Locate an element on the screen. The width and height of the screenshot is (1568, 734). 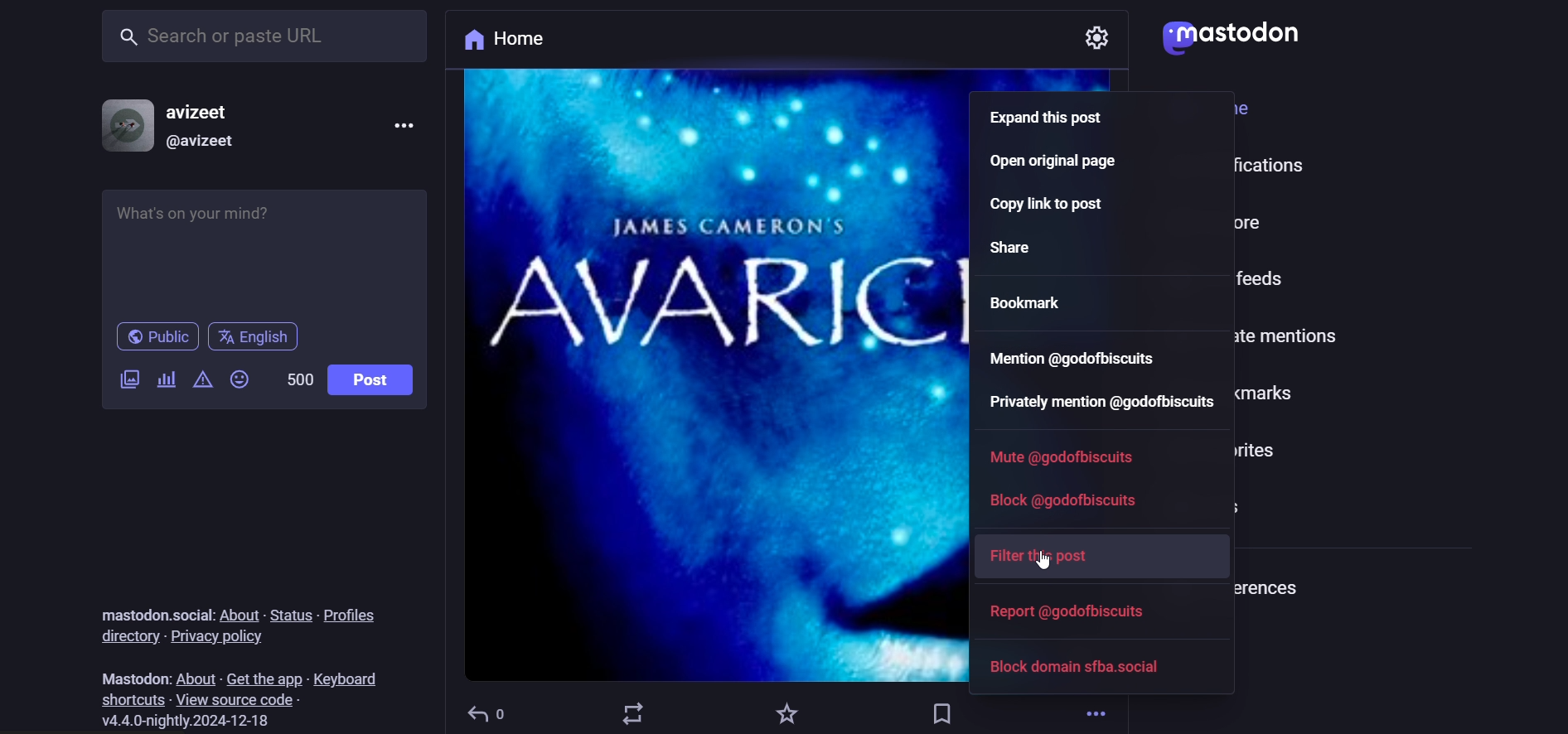
Cursor is located at coordinates (1048, 559).